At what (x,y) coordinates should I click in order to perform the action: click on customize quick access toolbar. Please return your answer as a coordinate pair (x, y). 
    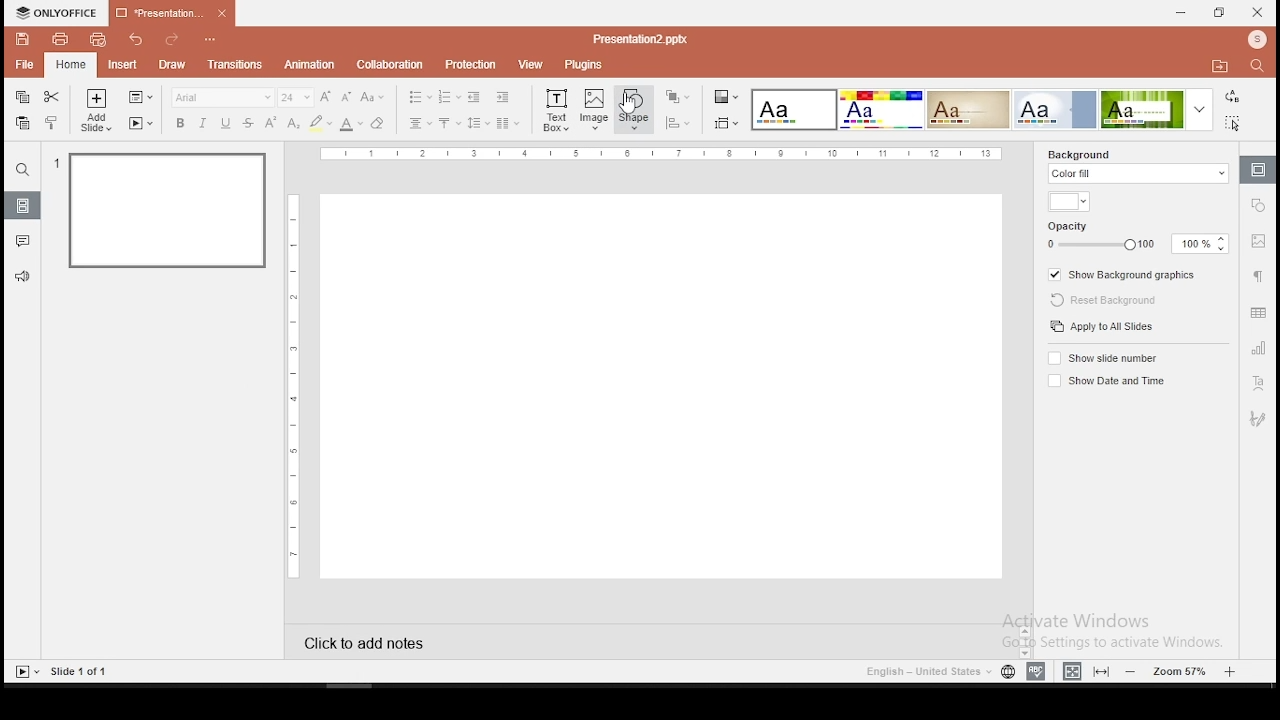
    Looking at the image, I should click on (211, 36).